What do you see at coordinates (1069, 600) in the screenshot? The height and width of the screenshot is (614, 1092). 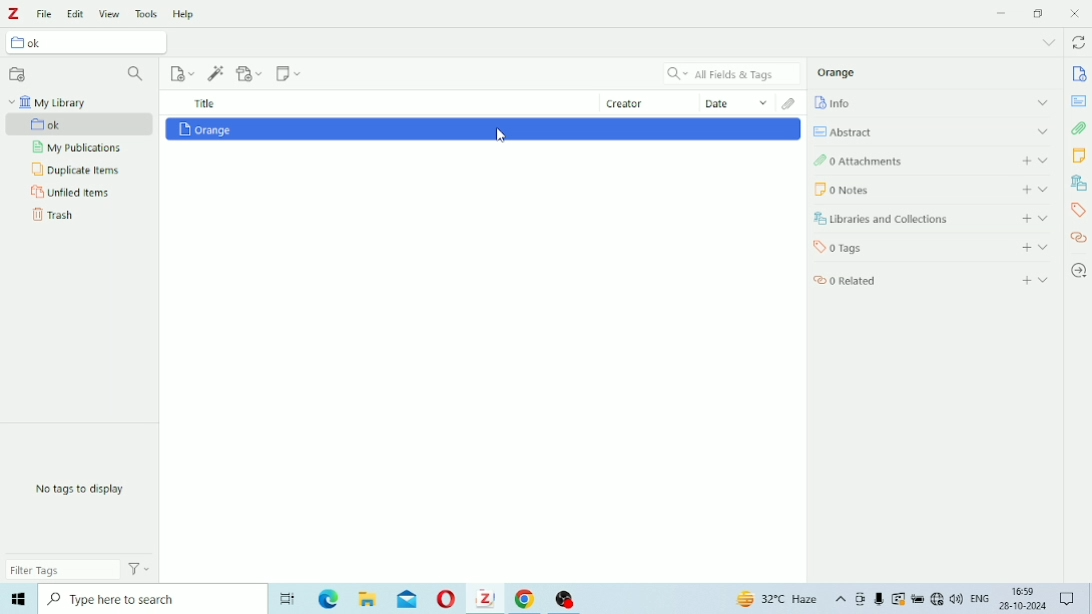 I see `Notifications` at bounding box center [1069, 600].